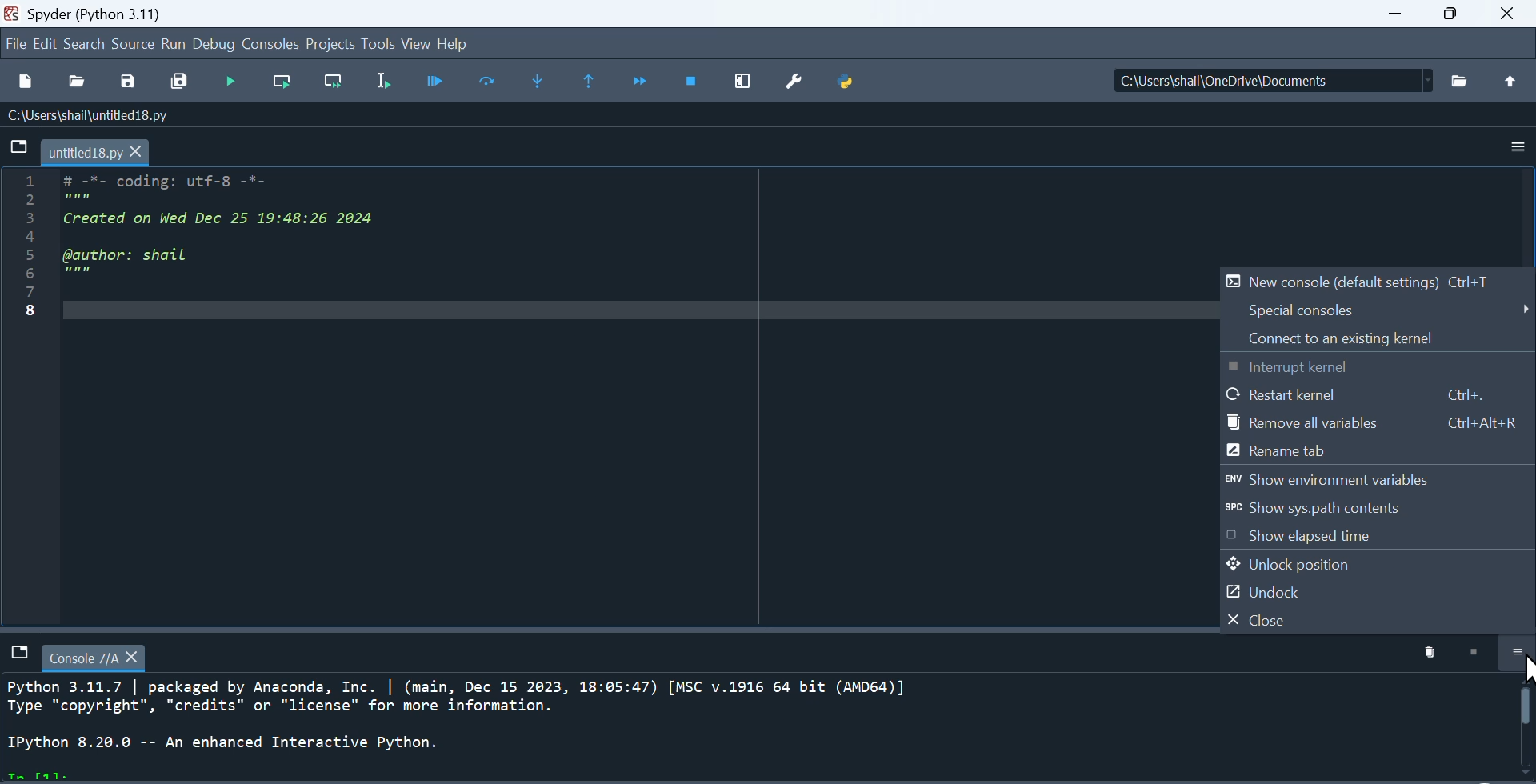 The image size is (1536, 784). I want to click on c:\users\shail\onedrive\documents, so click(1274, 81).